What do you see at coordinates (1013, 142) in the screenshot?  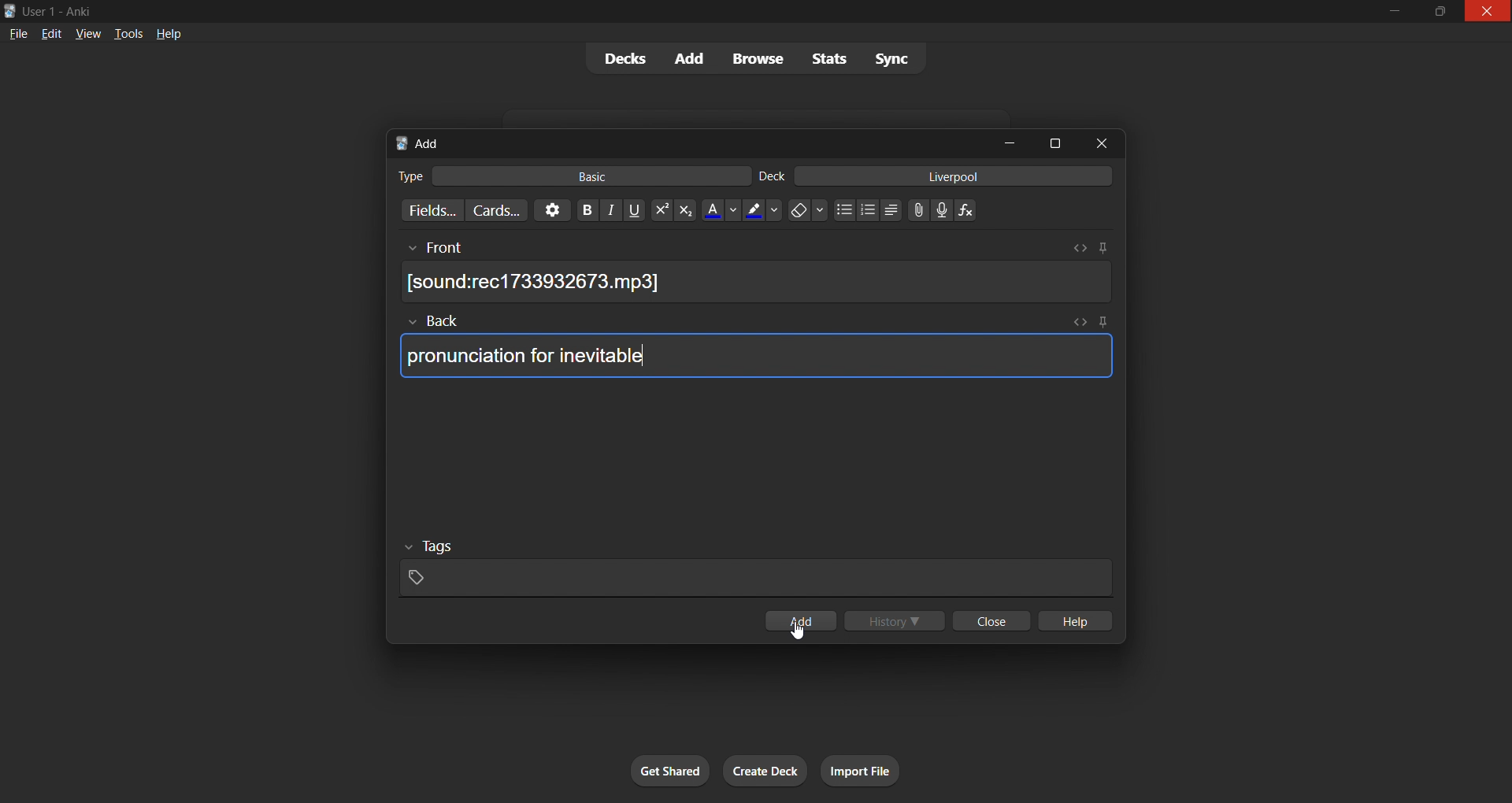 I see `minimize` at bounding box center [1013, 142].